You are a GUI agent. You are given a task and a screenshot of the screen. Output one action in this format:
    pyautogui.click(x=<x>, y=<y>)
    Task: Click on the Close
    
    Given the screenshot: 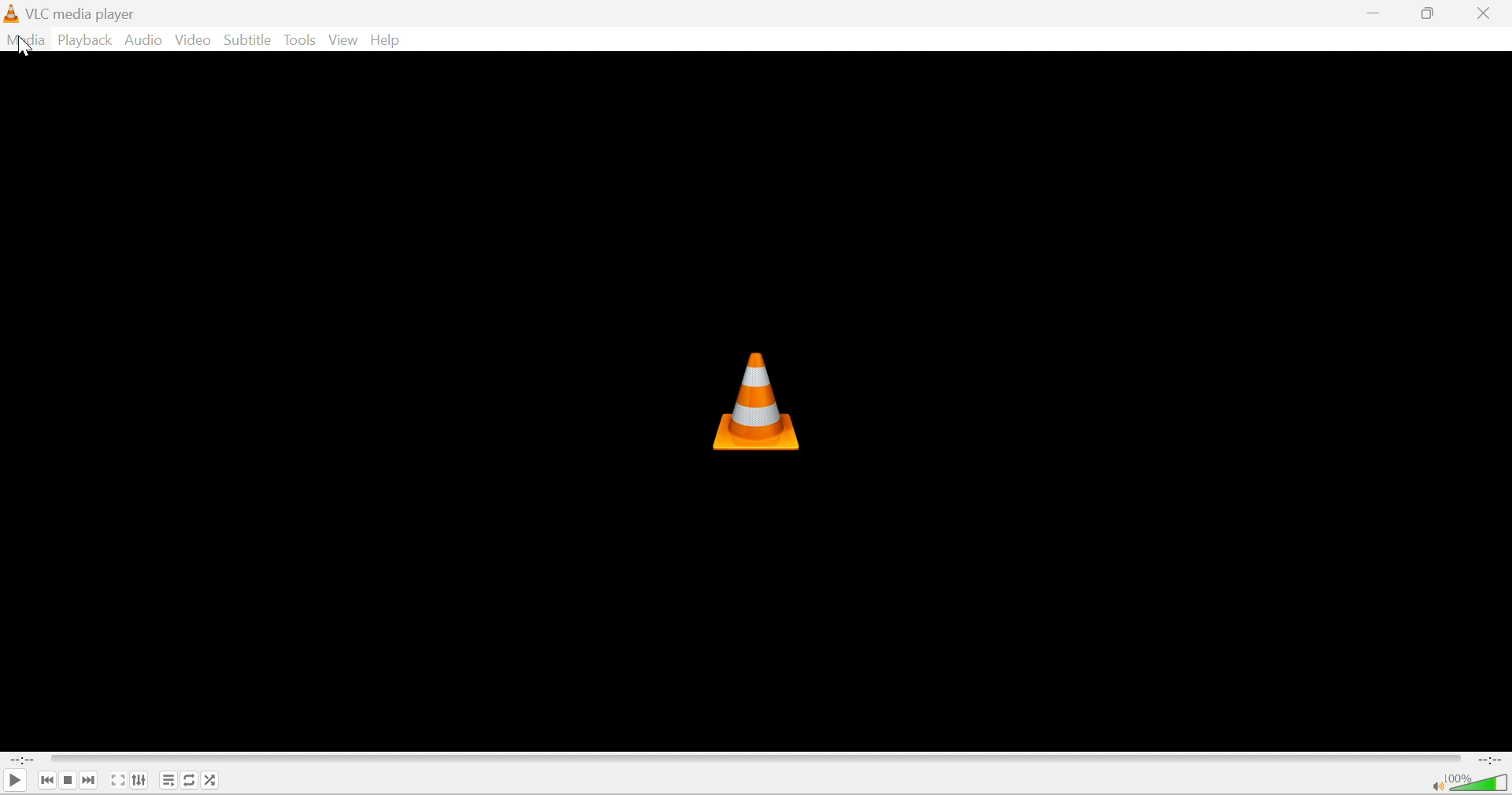 What is the action you would take?
    pyautogui.click(x=1489, y=13)
    